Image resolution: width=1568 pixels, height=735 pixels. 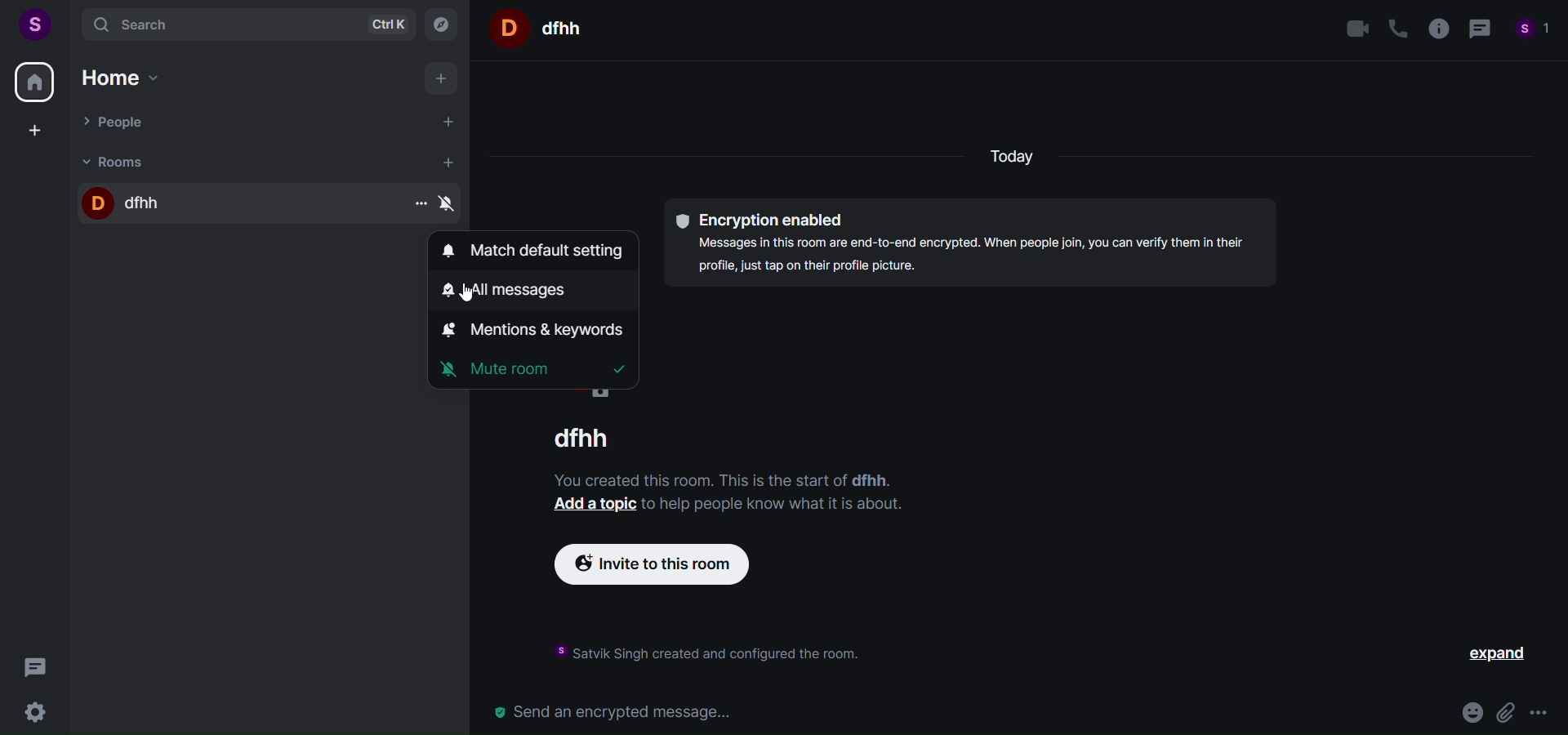 What do you see at coordinates (447, 161) in the screenshot?
I see `add room` at bounding box center [447, 161].